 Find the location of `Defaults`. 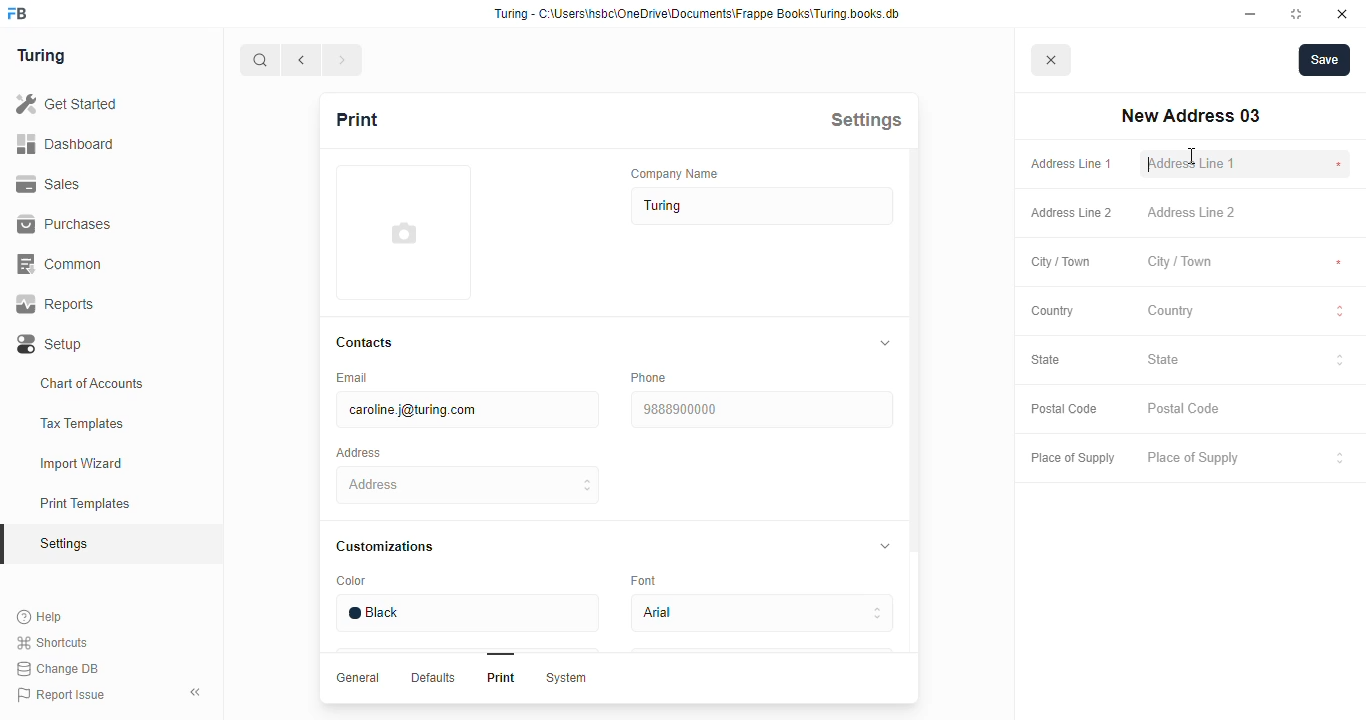

Defaults is located at coordinates (431, 677).